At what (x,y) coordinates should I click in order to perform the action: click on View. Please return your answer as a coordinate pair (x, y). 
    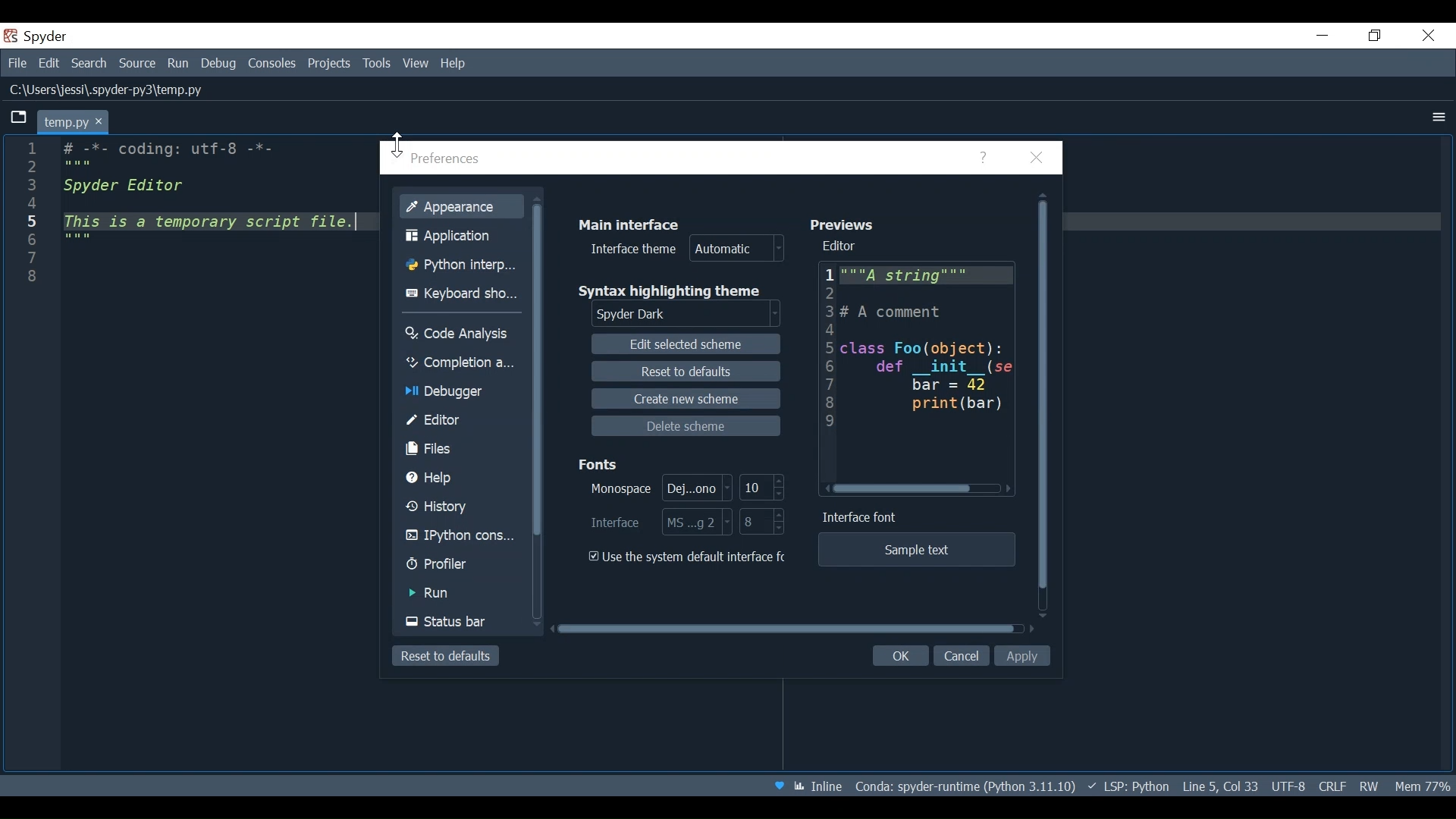
    Looking at the image, I should click on (416, 64).